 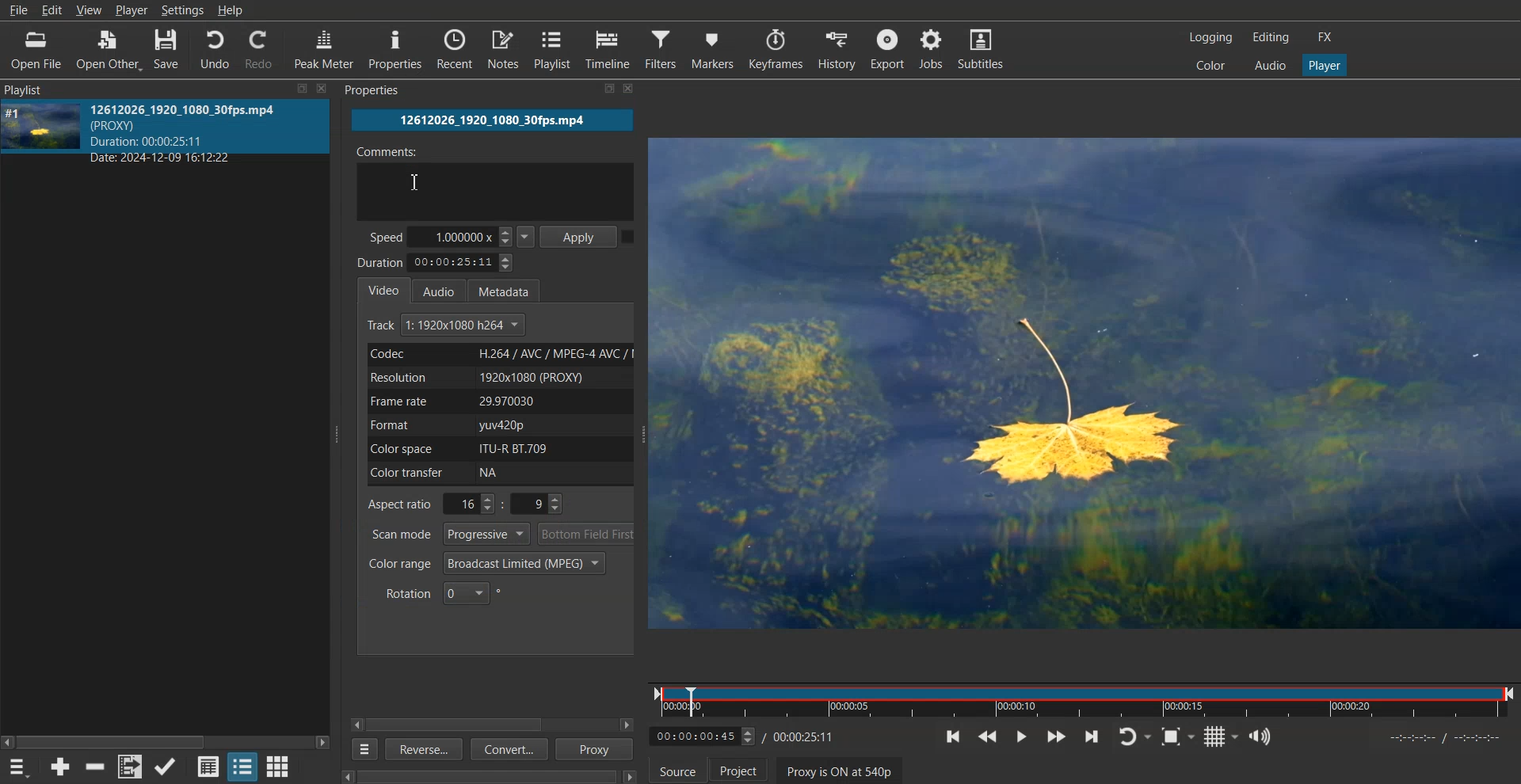 What do you see at coordinates (677, 769) in the screenshot?
I see `Source` at bounding box center [677, 769].